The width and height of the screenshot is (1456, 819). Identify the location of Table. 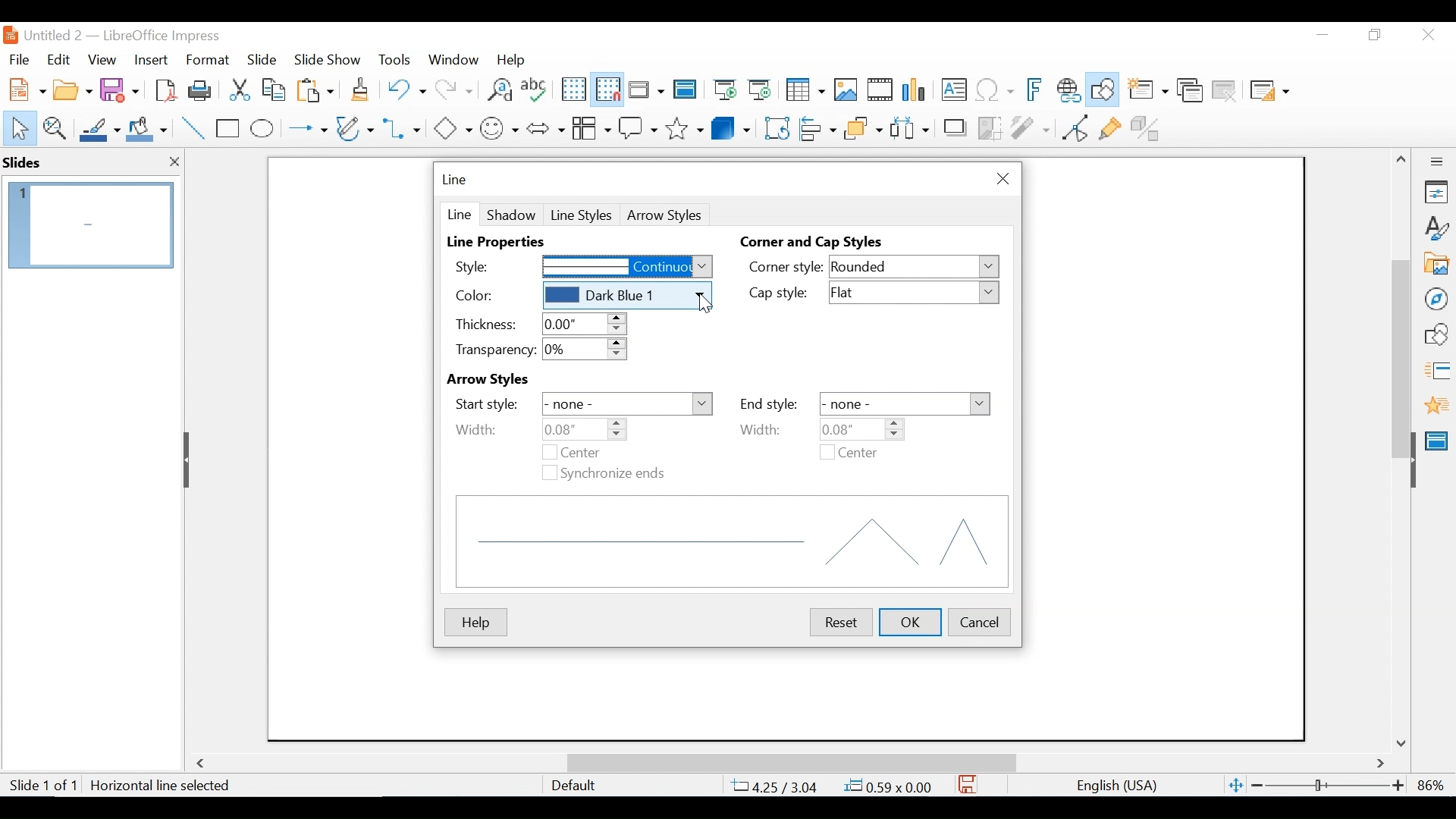
(804, 90).